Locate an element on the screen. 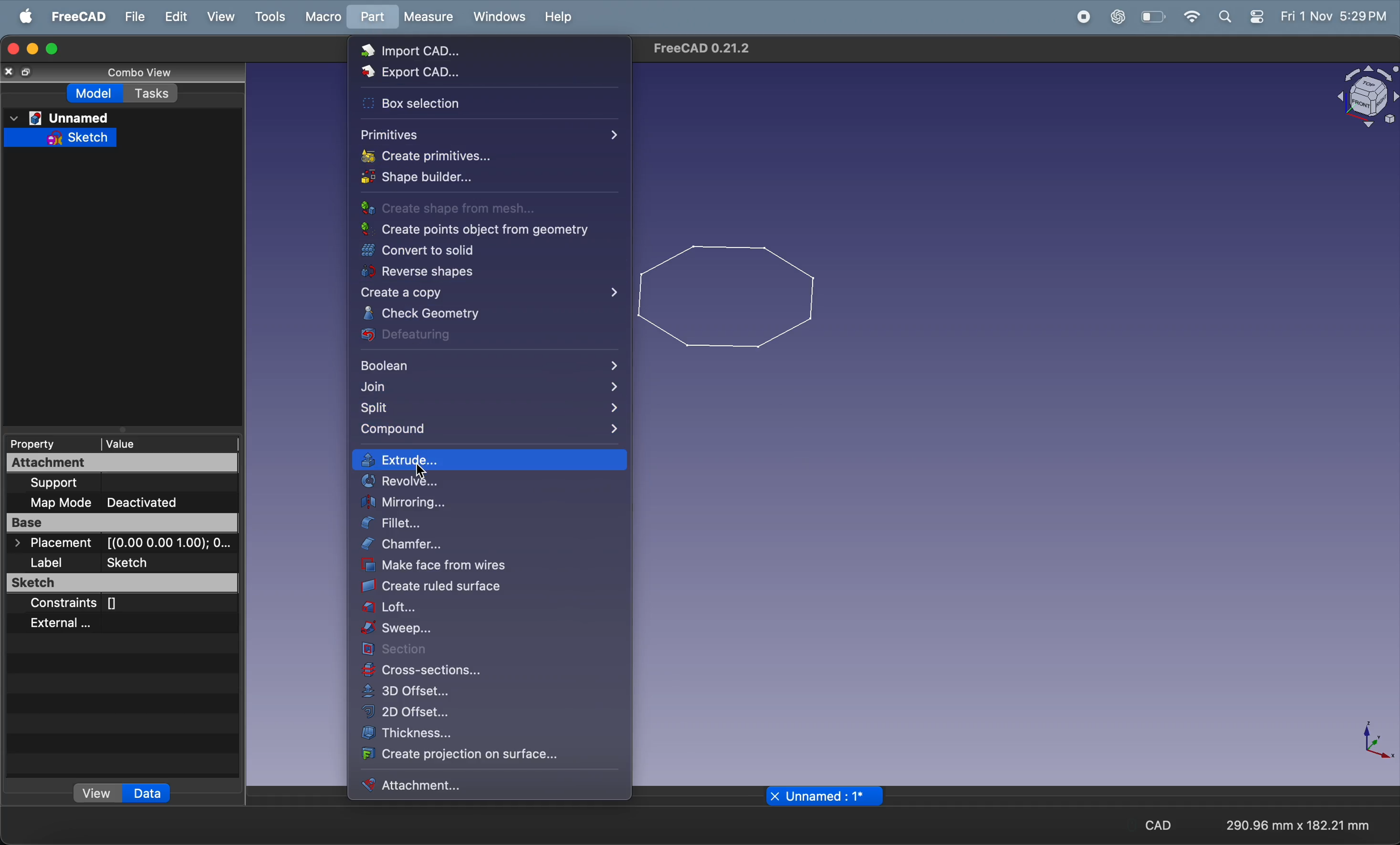 The height and width of the screenshot is (845, 1400). tools is located at coordinates (268, 16).